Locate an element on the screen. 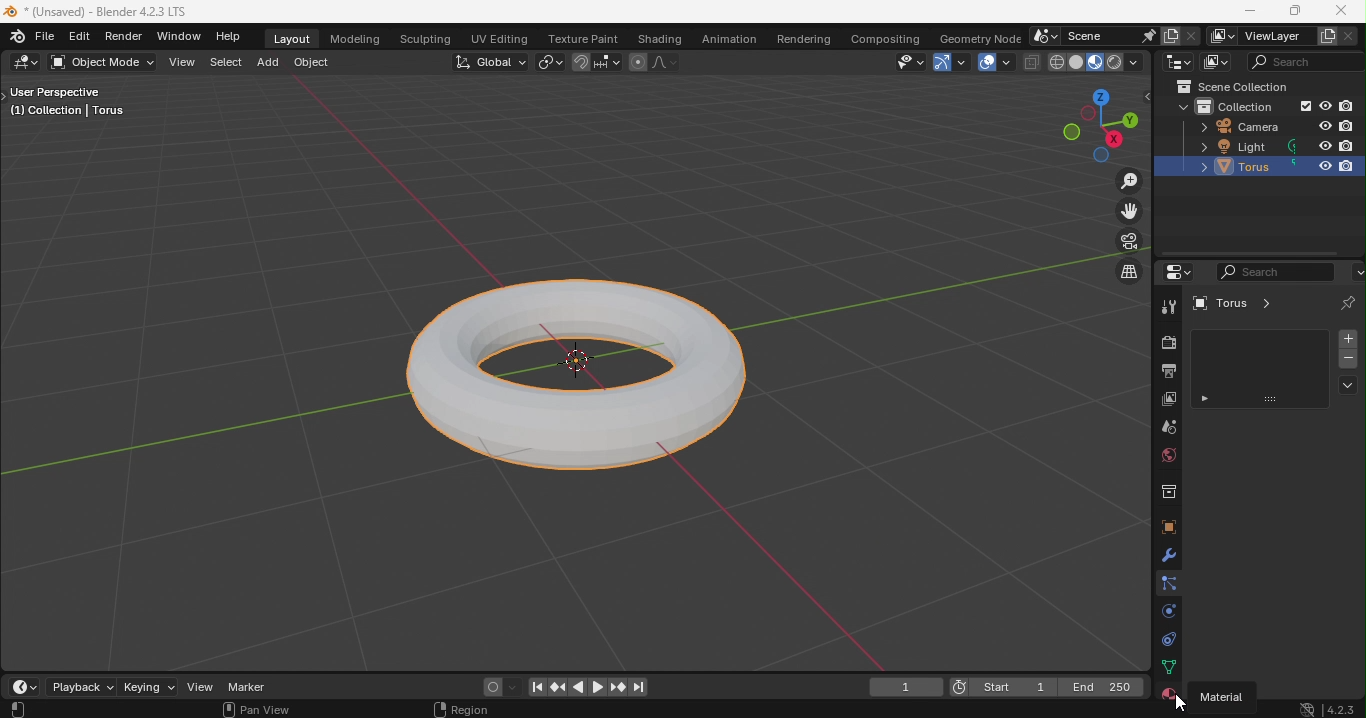 Image resolution: width=1366 pixels, height=718 pixels. Render is located at coordinates (125, 38).